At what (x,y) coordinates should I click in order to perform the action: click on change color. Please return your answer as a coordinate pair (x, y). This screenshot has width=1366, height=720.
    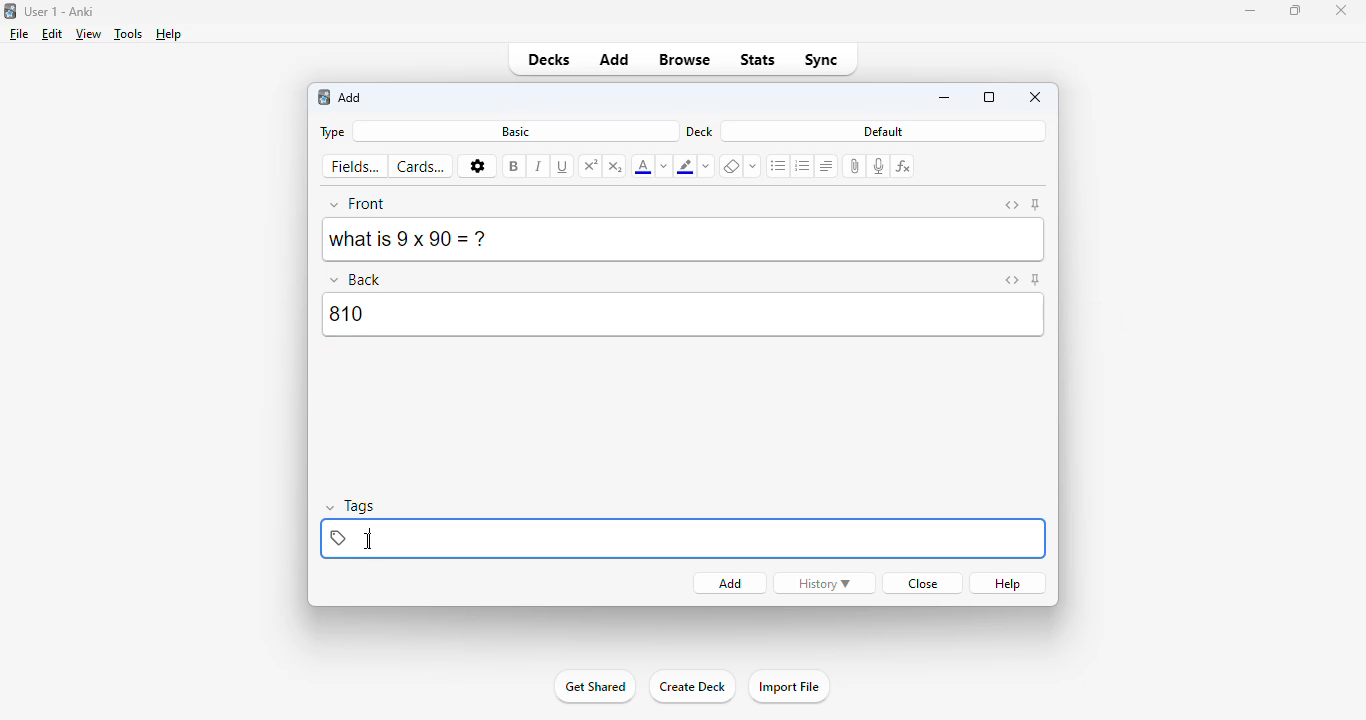
    Looking at the image, I should click on (664, 166).